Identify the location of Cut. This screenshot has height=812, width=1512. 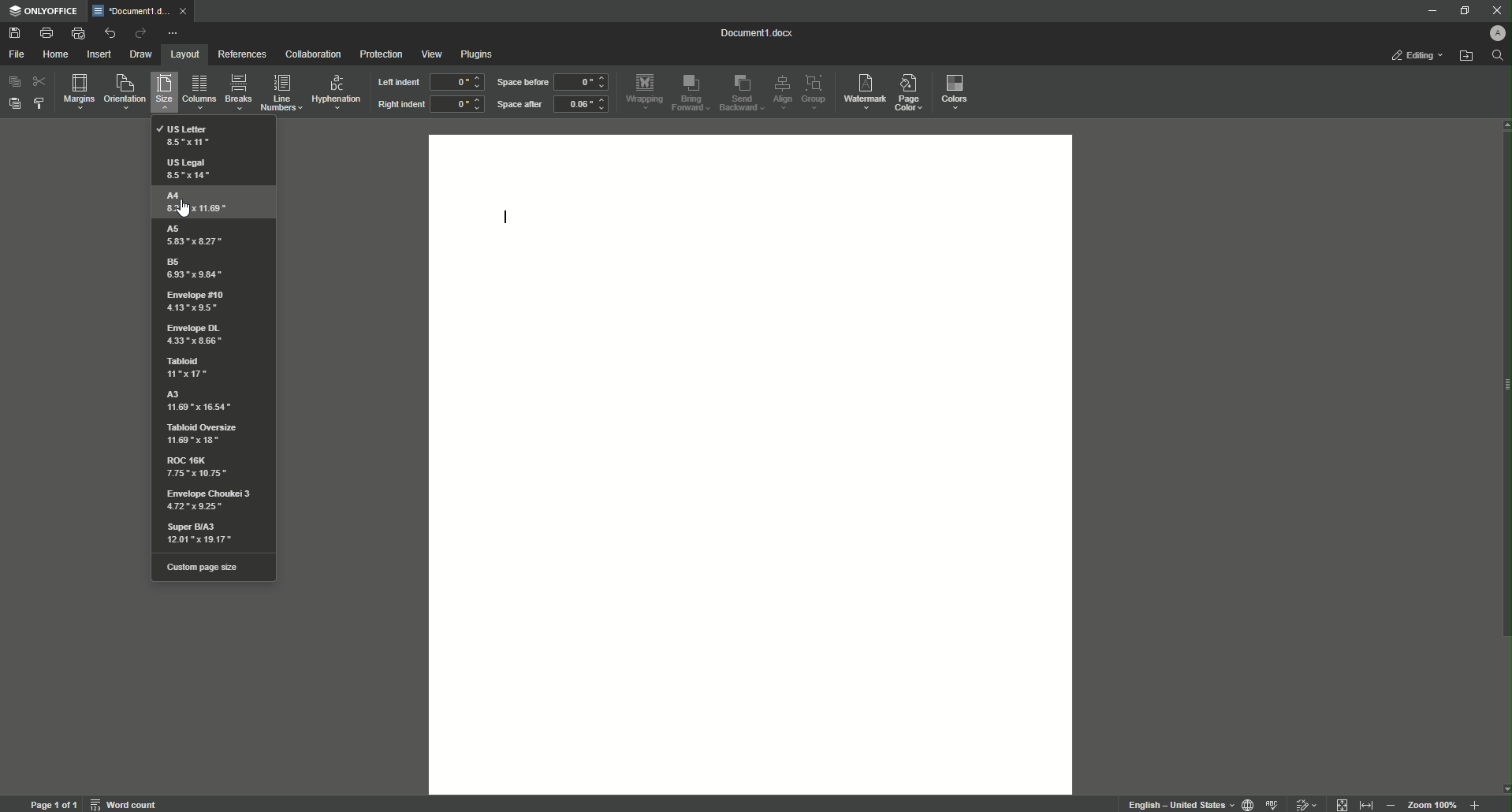
(40, 81).